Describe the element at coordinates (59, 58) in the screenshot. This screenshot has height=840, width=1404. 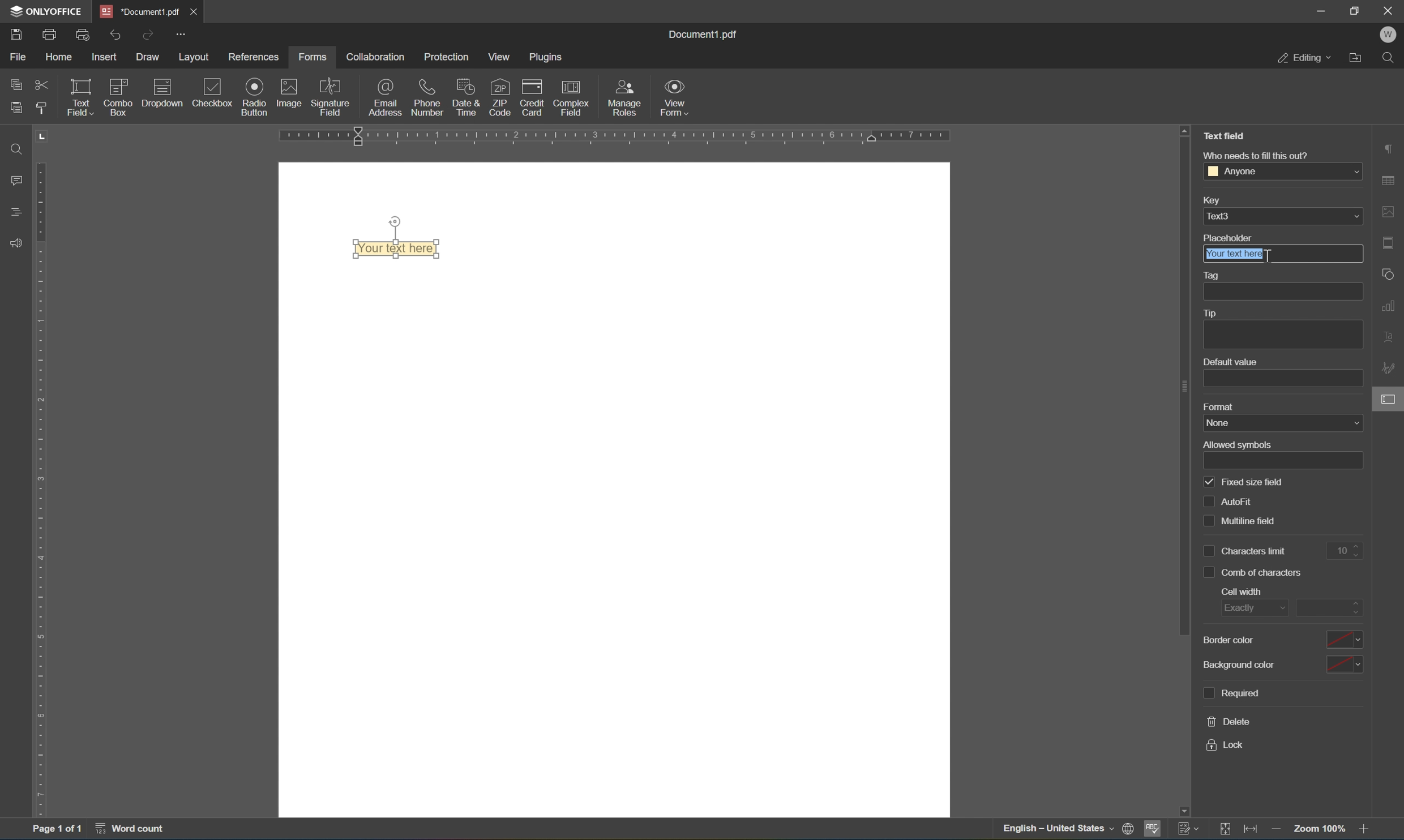
I see `home` at that location.